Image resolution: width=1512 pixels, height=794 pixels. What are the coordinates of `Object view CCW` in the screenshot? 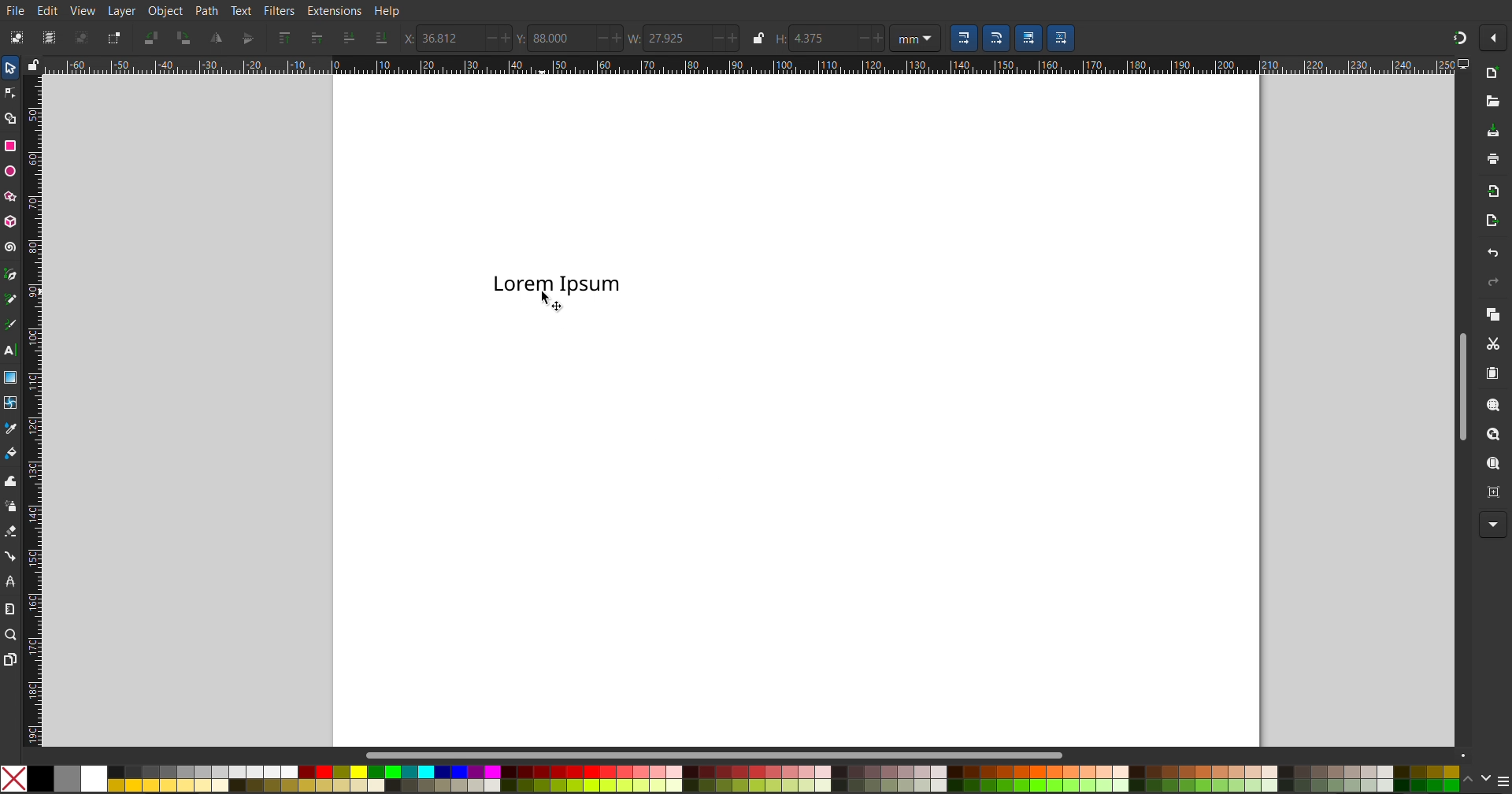 It's located at (151, 38).